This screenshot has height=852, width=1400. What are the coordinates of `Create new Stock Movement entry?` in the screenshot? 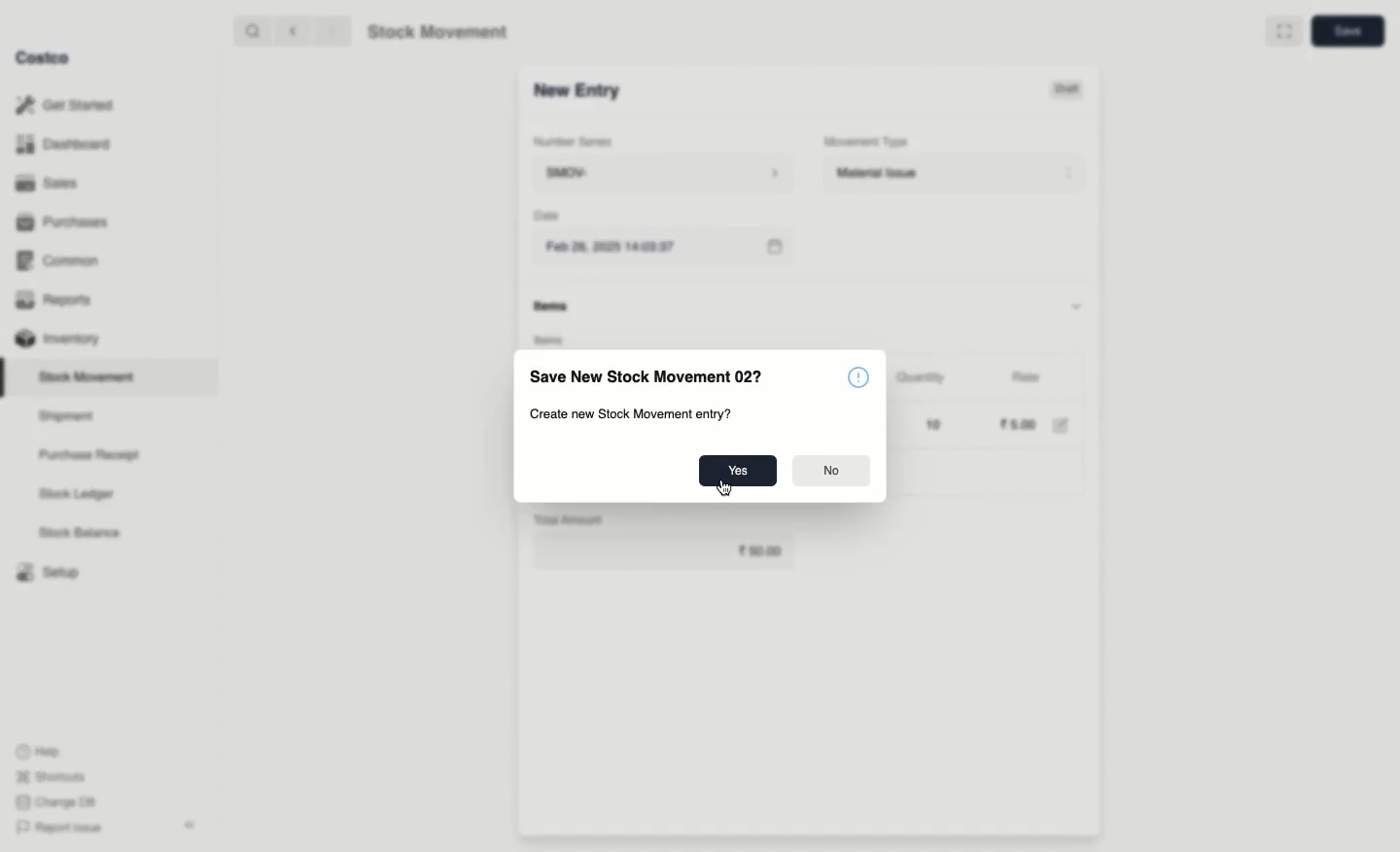 It's located at (637, 412).